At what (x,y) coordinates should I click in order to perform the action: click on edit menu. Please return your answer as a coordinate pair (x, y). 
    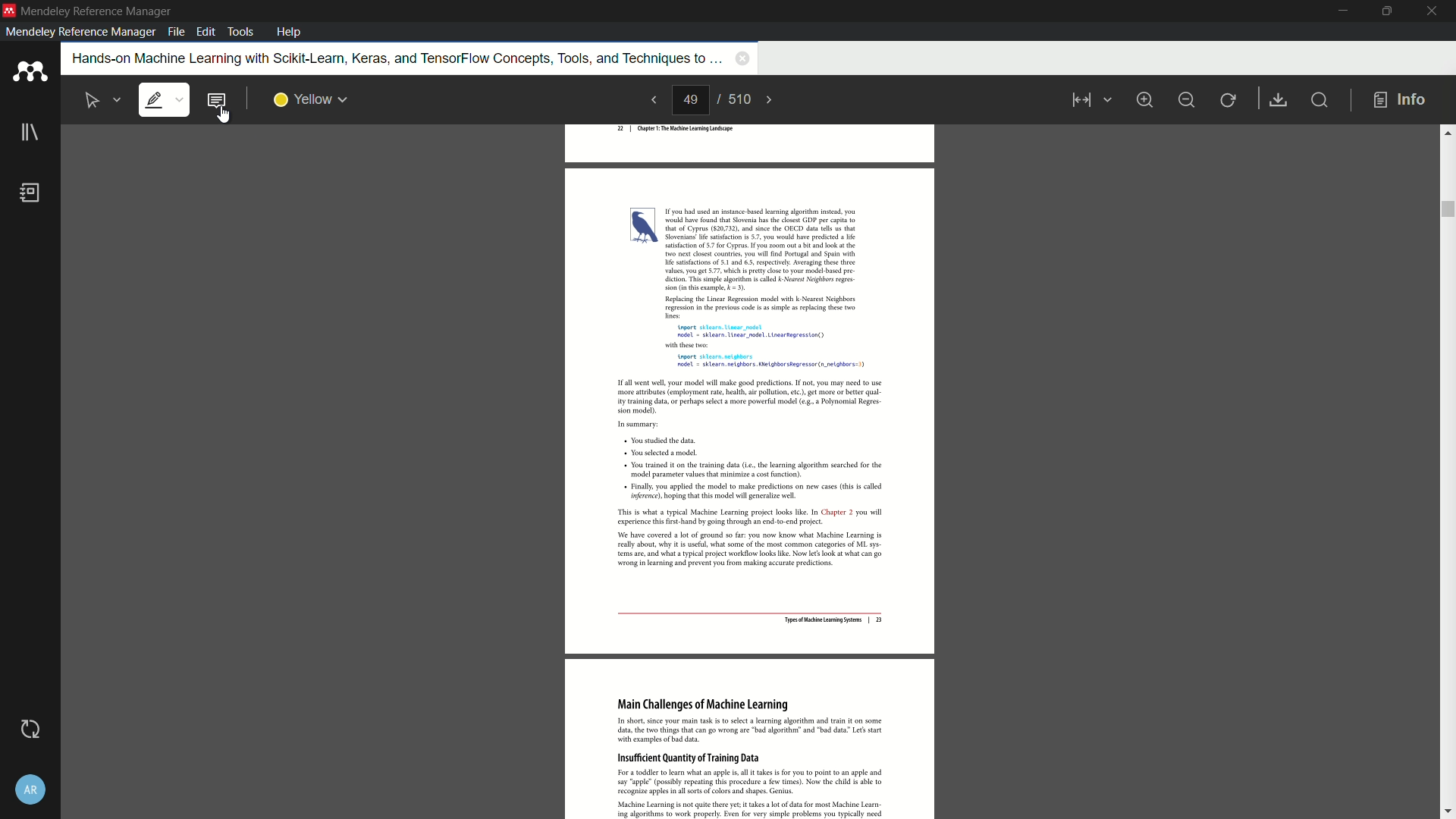
    Looking at the image, I should click on (206, 33).